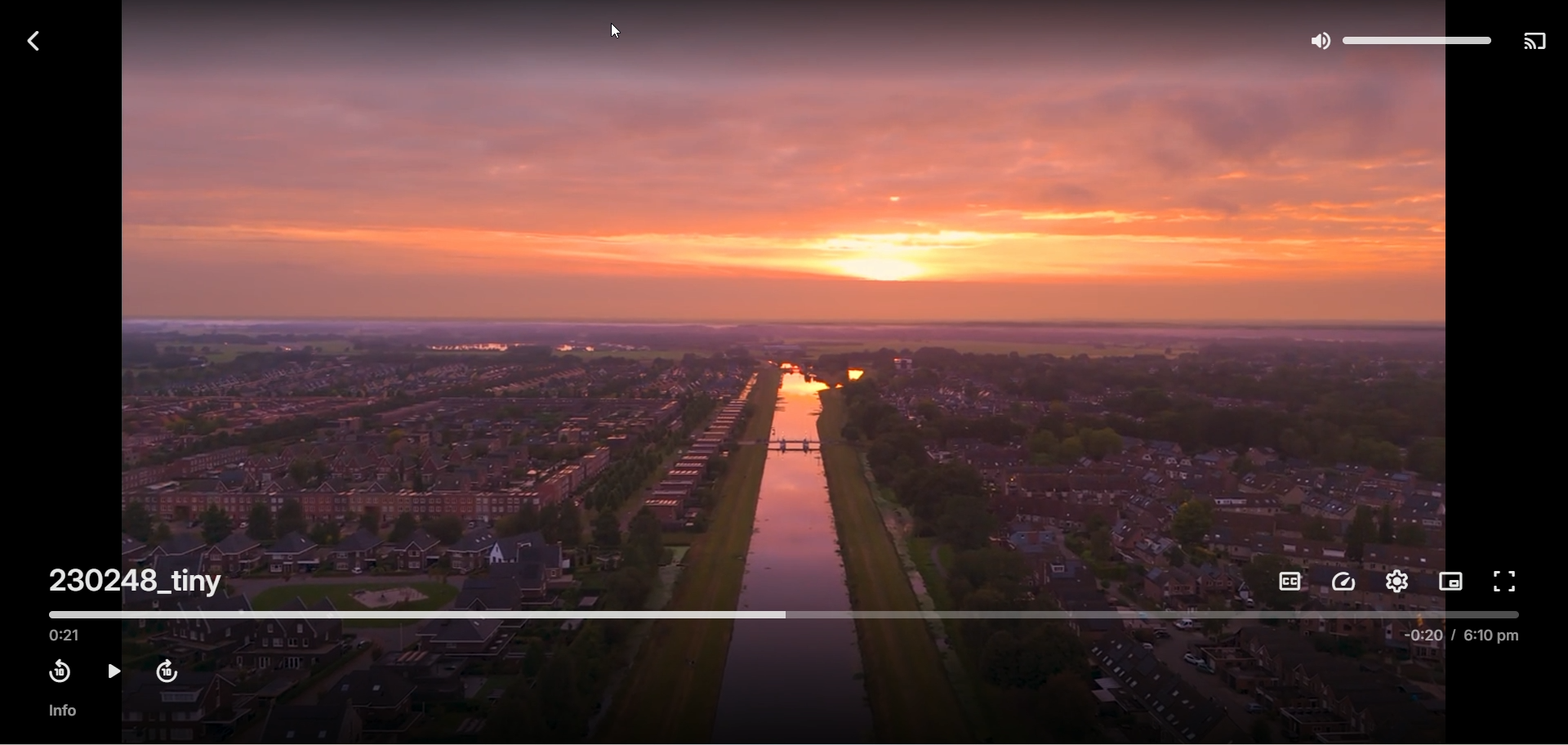  Describe the element at coordinates (28, 39) in the screenshot. I see `back` at that location.